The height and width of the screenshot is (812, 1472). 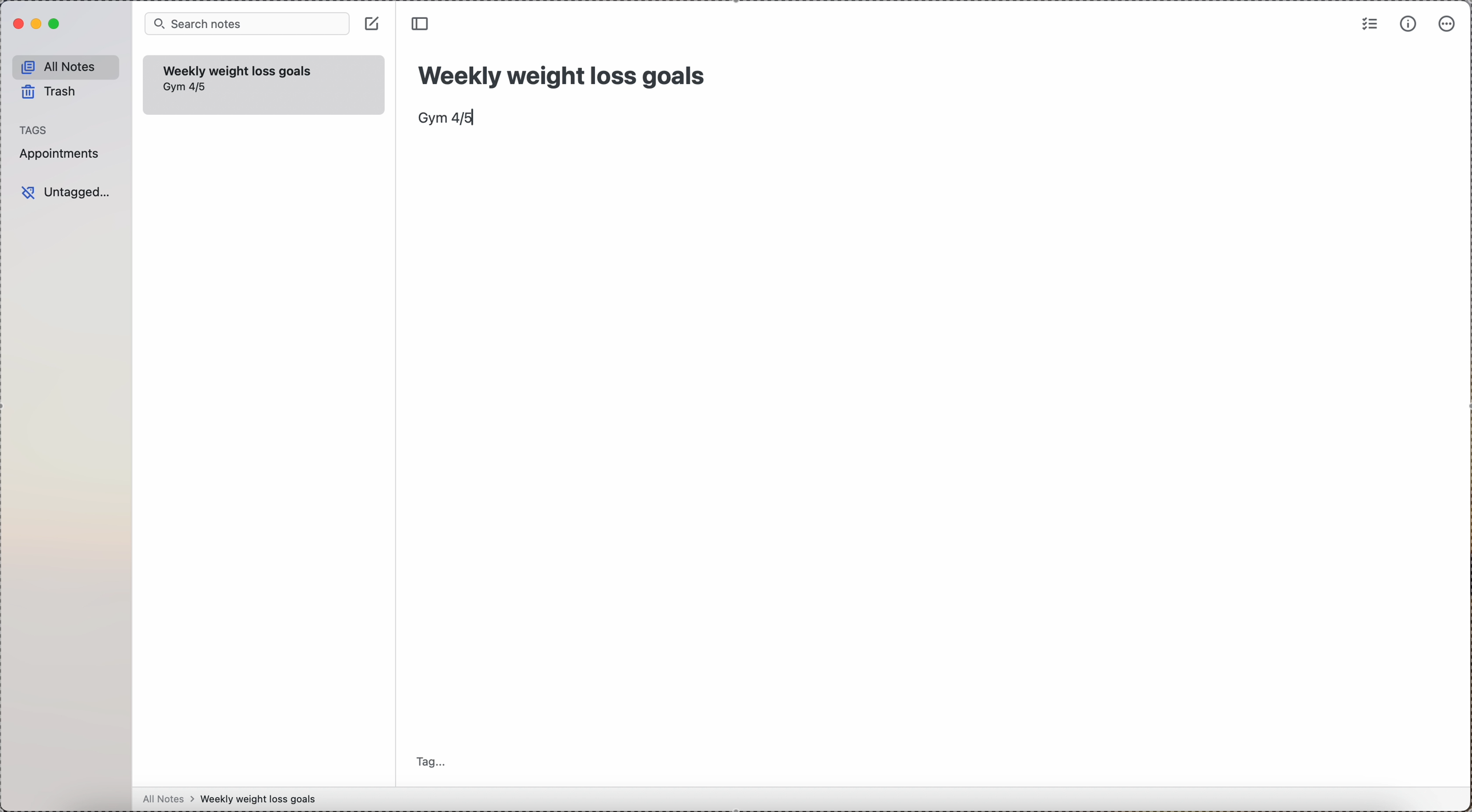 What do you see at coordinates (435, 760) in the screenshot?
I see `tag` at bounding box center [435, 760].